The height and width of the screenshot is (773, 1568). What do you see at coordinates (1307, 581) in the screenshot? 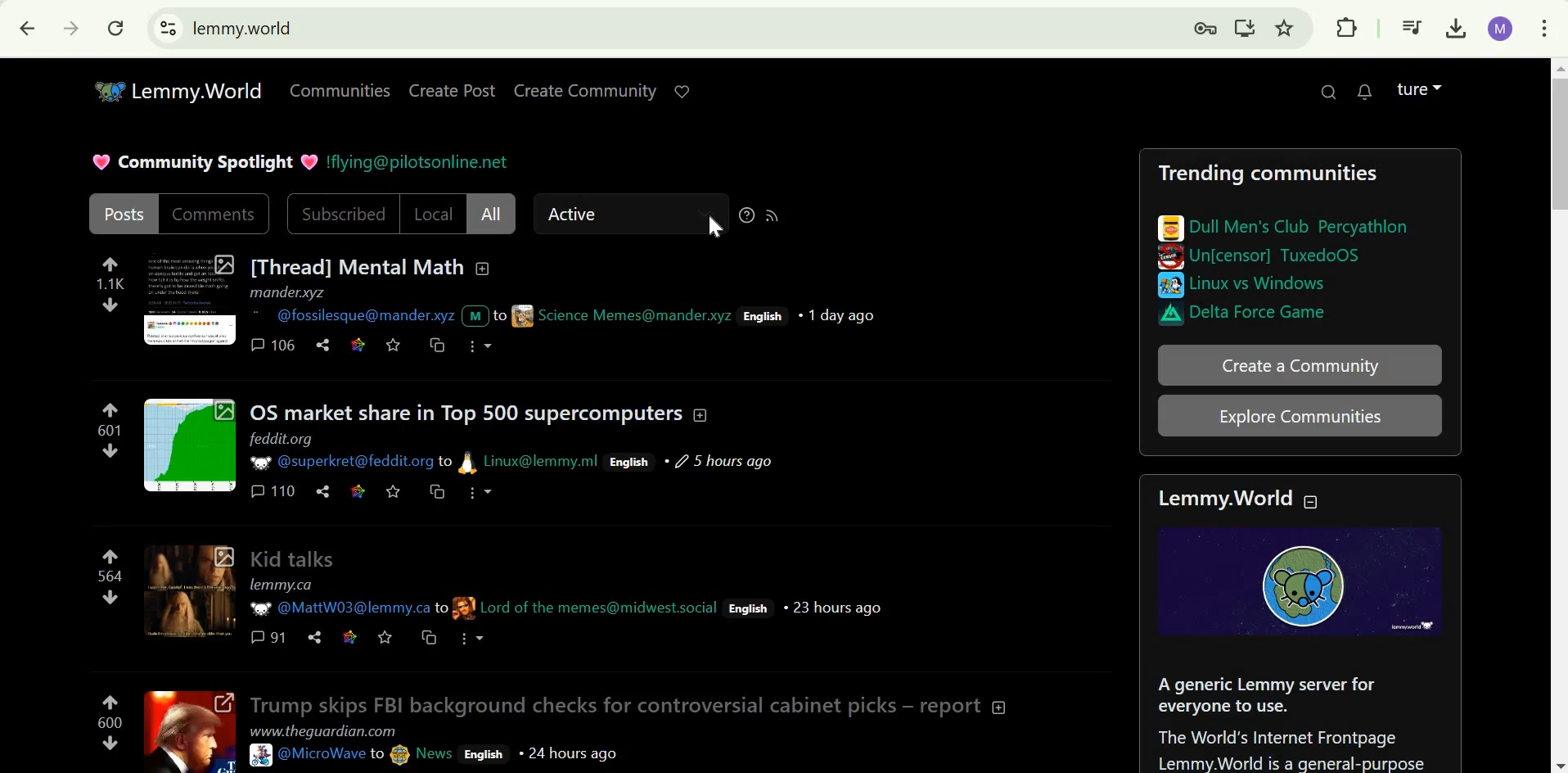
I see `Logo` at bounding box center [1307, 581].